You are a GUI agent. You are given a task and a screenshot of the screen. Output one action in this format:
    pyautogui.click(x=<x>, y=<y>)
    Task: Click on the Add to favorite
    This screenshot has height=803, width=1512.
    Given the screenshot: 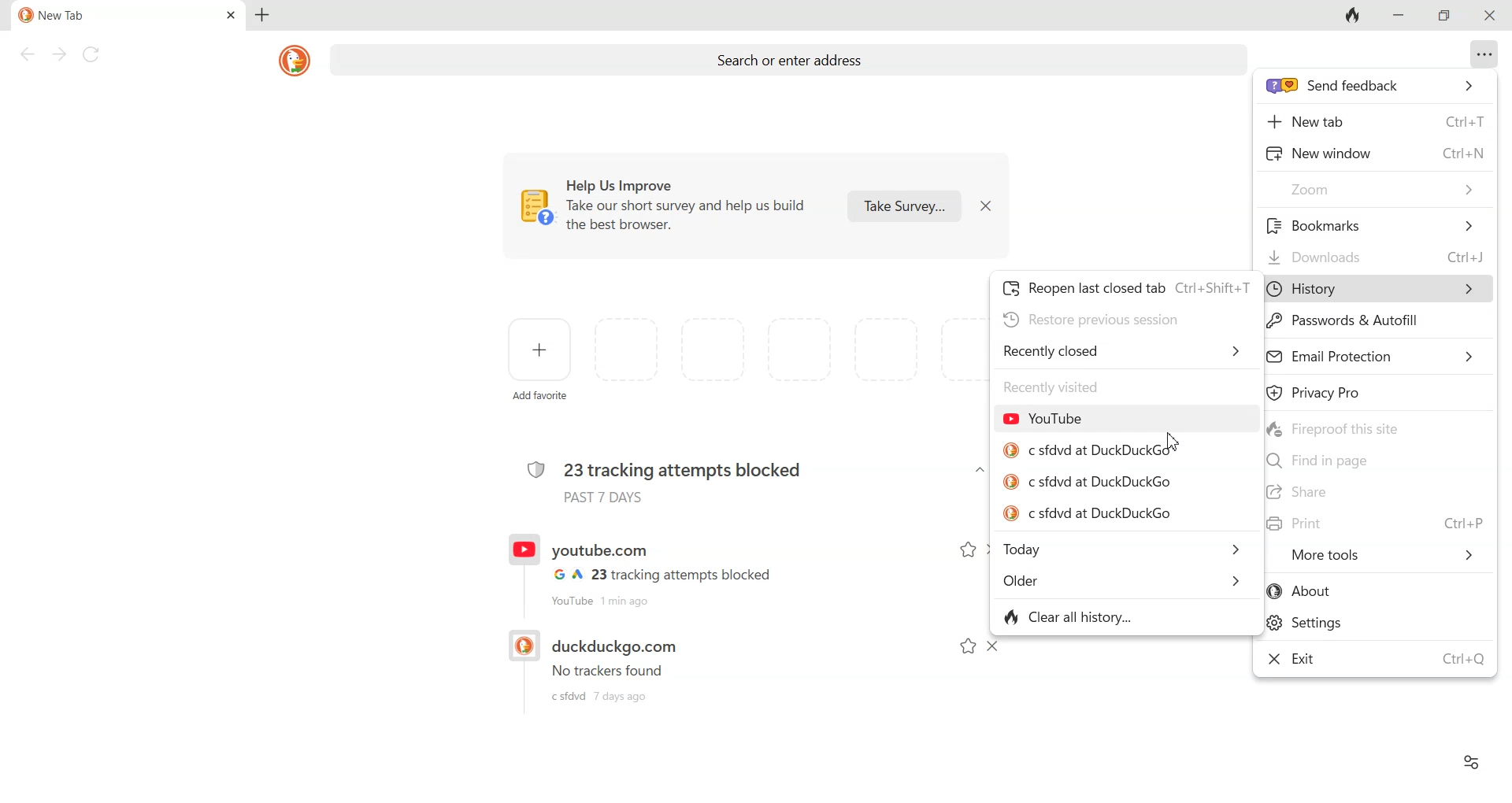 What is the action you would take?
    pyautogui.click(x=969, y=646)
    